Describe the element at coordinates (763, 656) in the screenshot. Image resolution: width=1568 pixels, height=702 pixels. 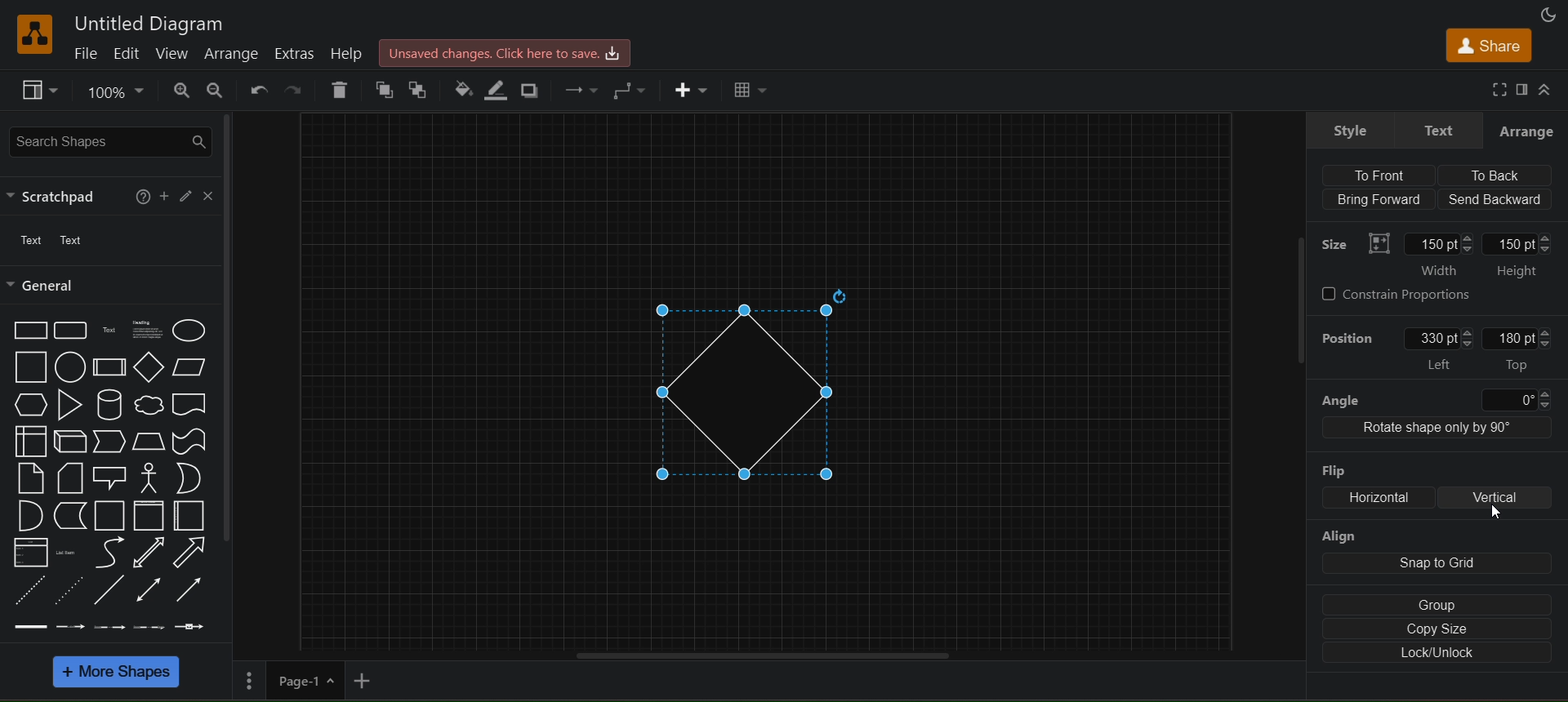
I see `horizontal scroll bar` at that location.